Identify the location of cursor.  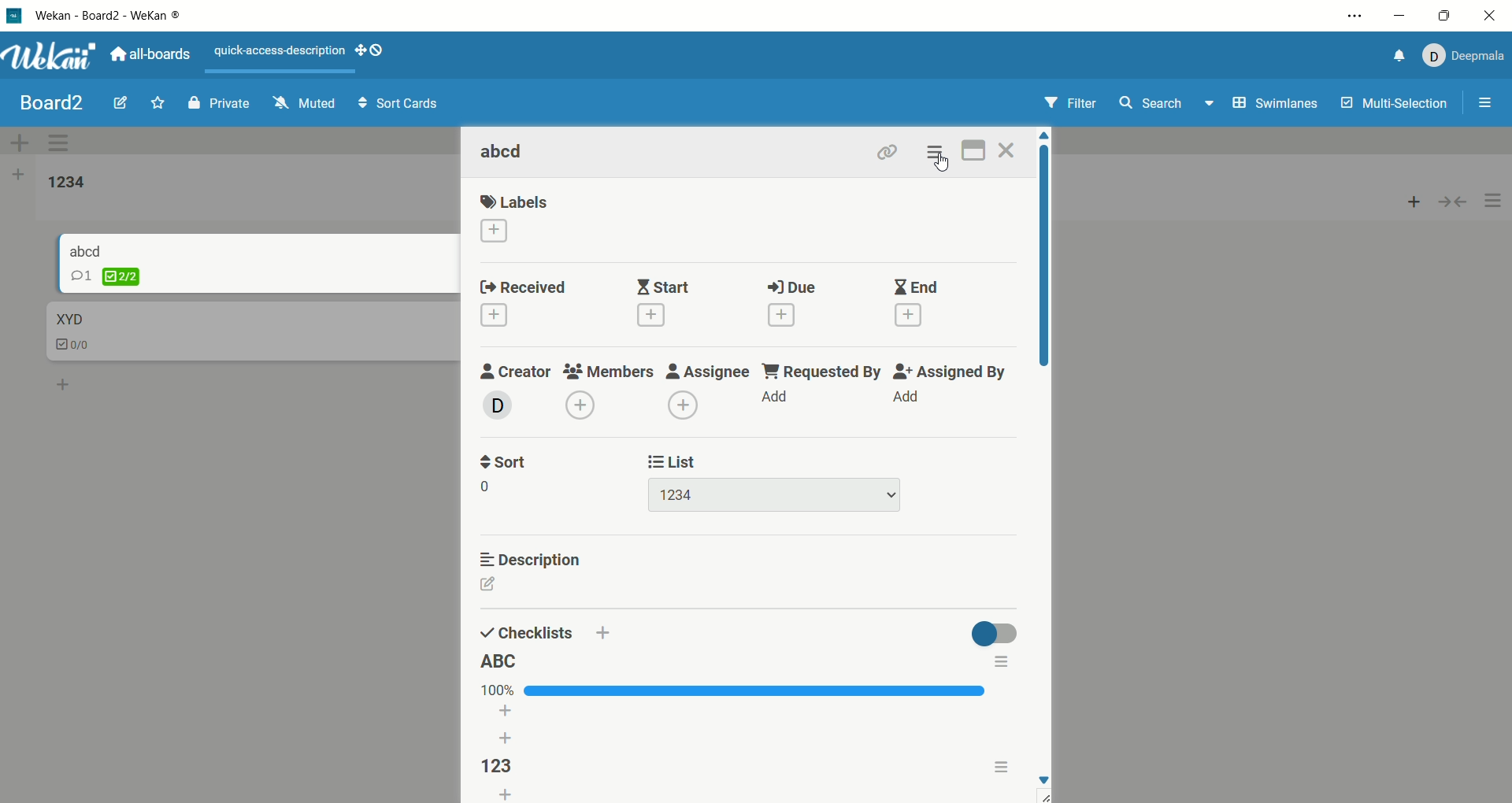
(945, 165).